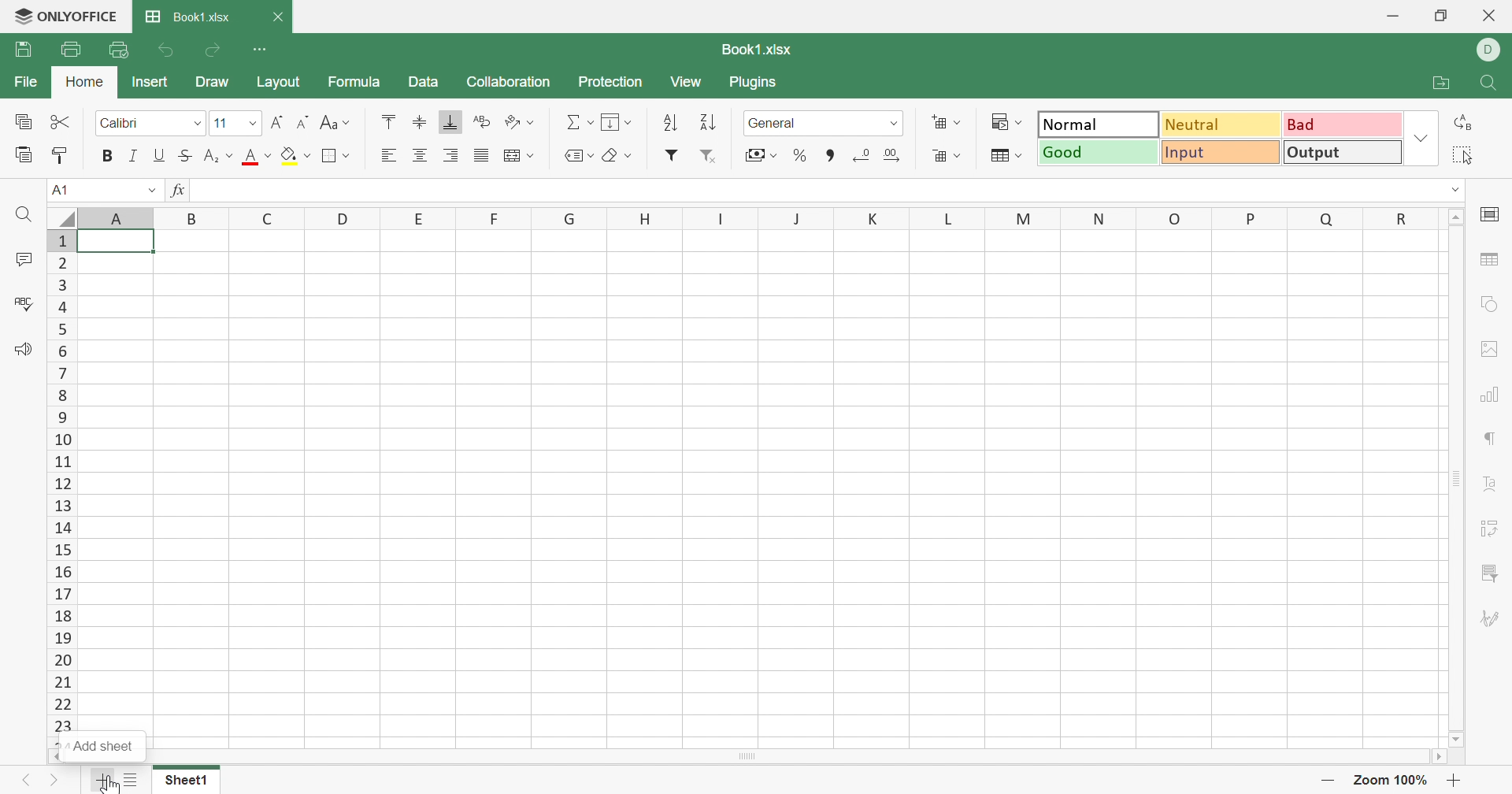  I want to click on 12, so click(59, 484).